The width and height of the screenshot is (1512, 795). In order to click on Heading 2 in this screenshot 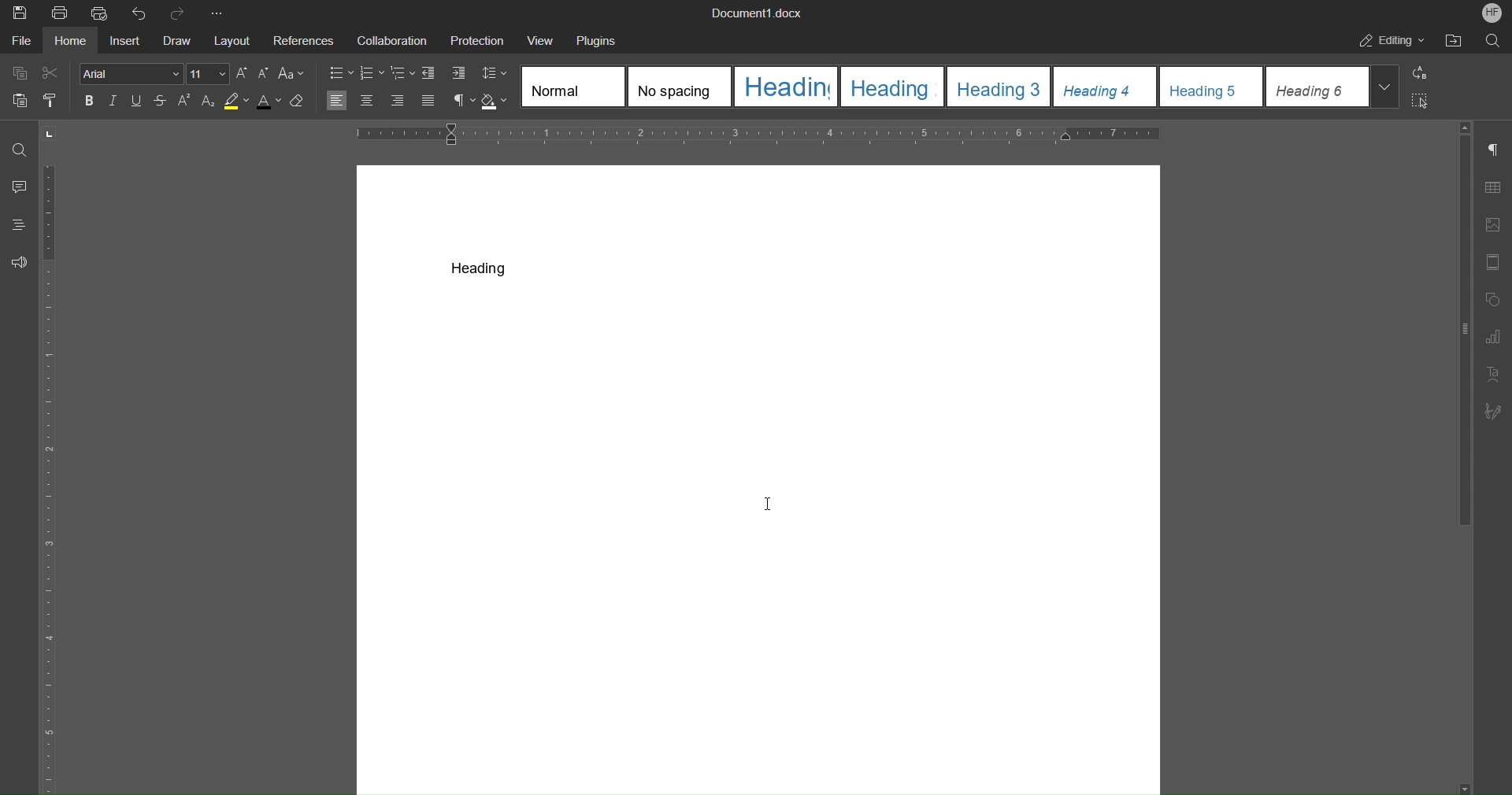, I will do `click(897, 86)`.